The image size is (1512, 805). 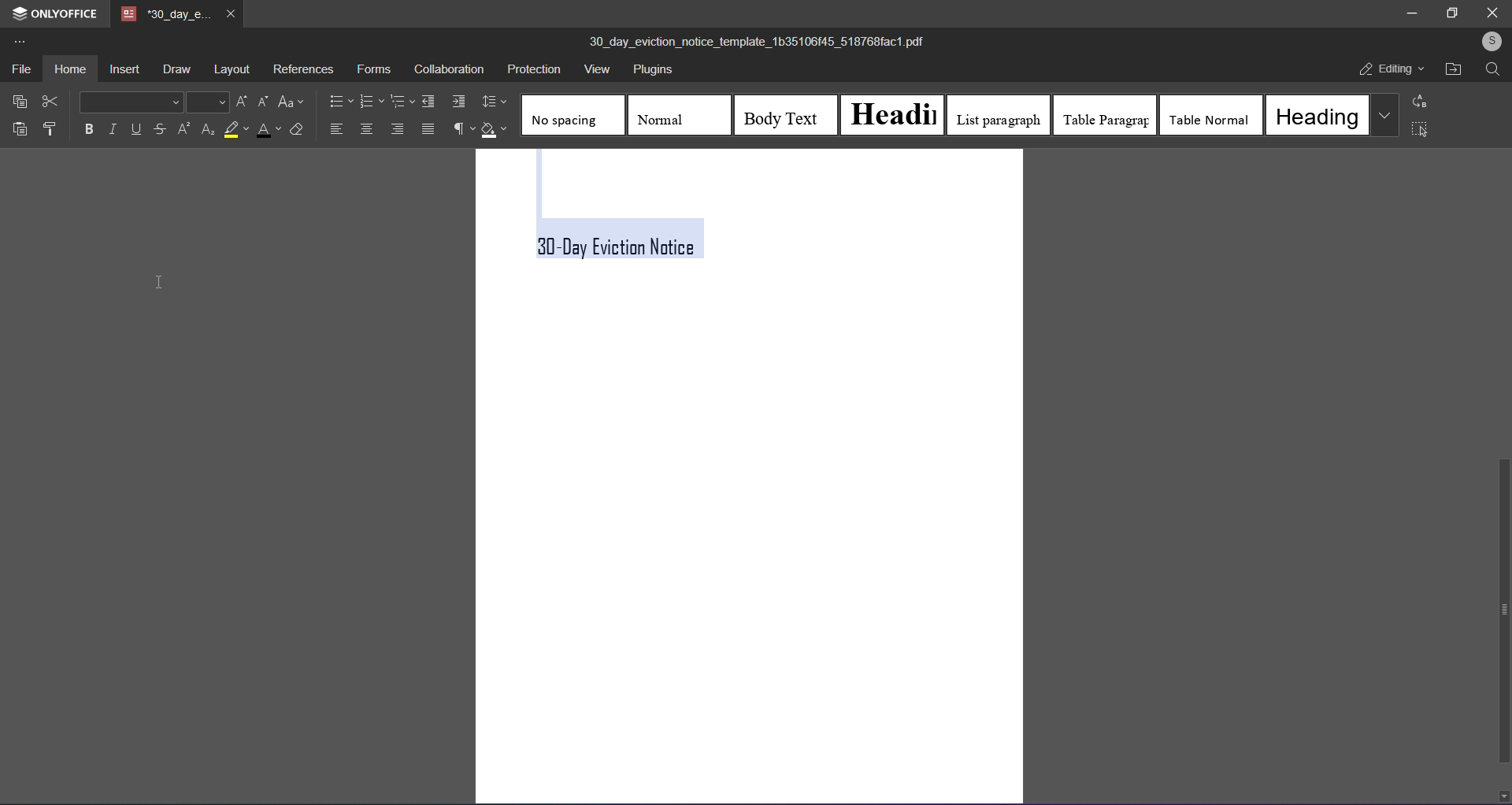 I want to click on cut, so click(x=50, y=100).